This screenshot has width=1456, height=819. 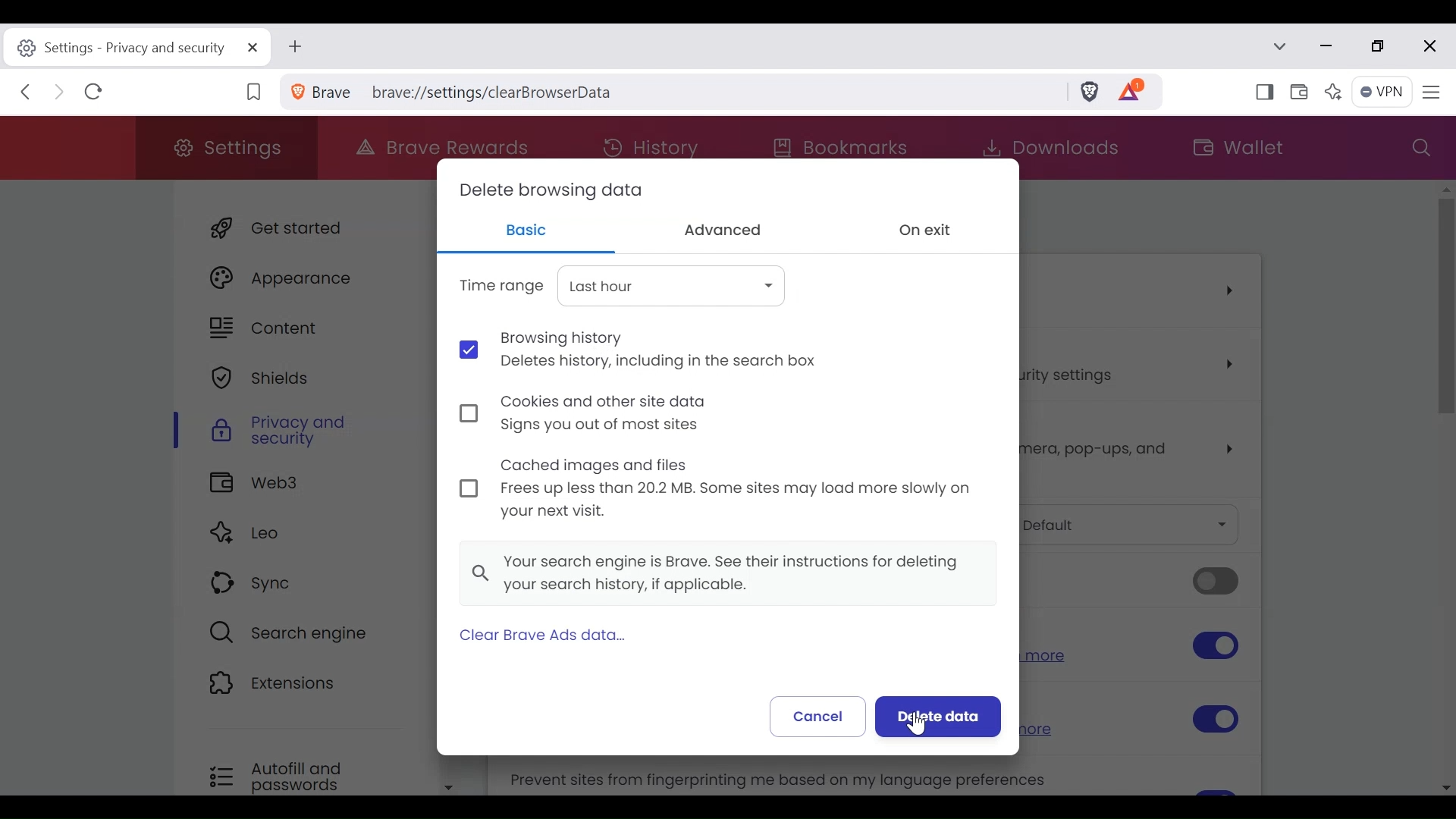 What do you see at coordinates (300, 585) in the screenshot?
I see `Sync` at bounding box center [300, 585].